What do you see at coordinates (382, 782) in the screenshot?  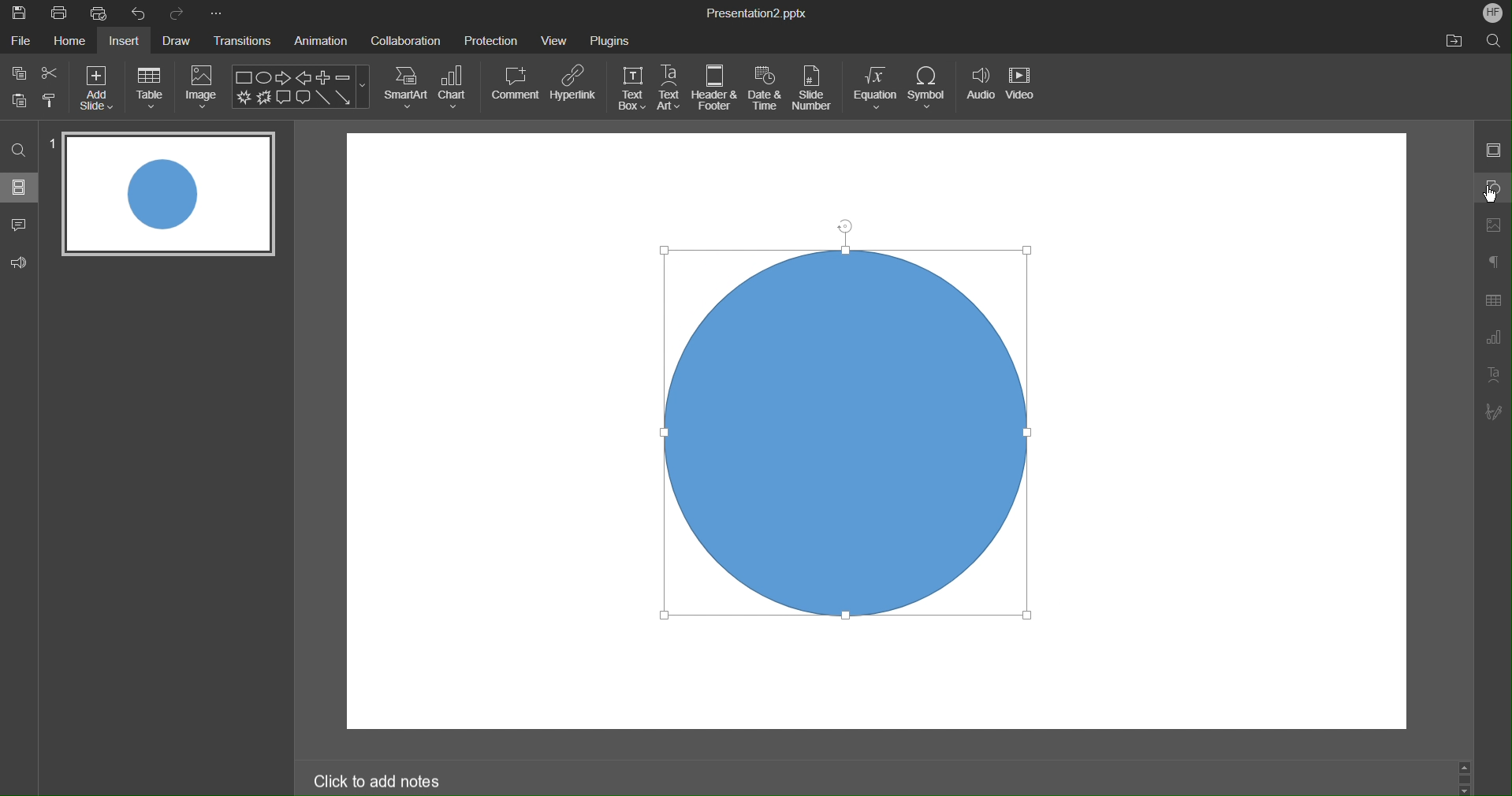 I see `Click to add notes` at bounding box center [382, 782].